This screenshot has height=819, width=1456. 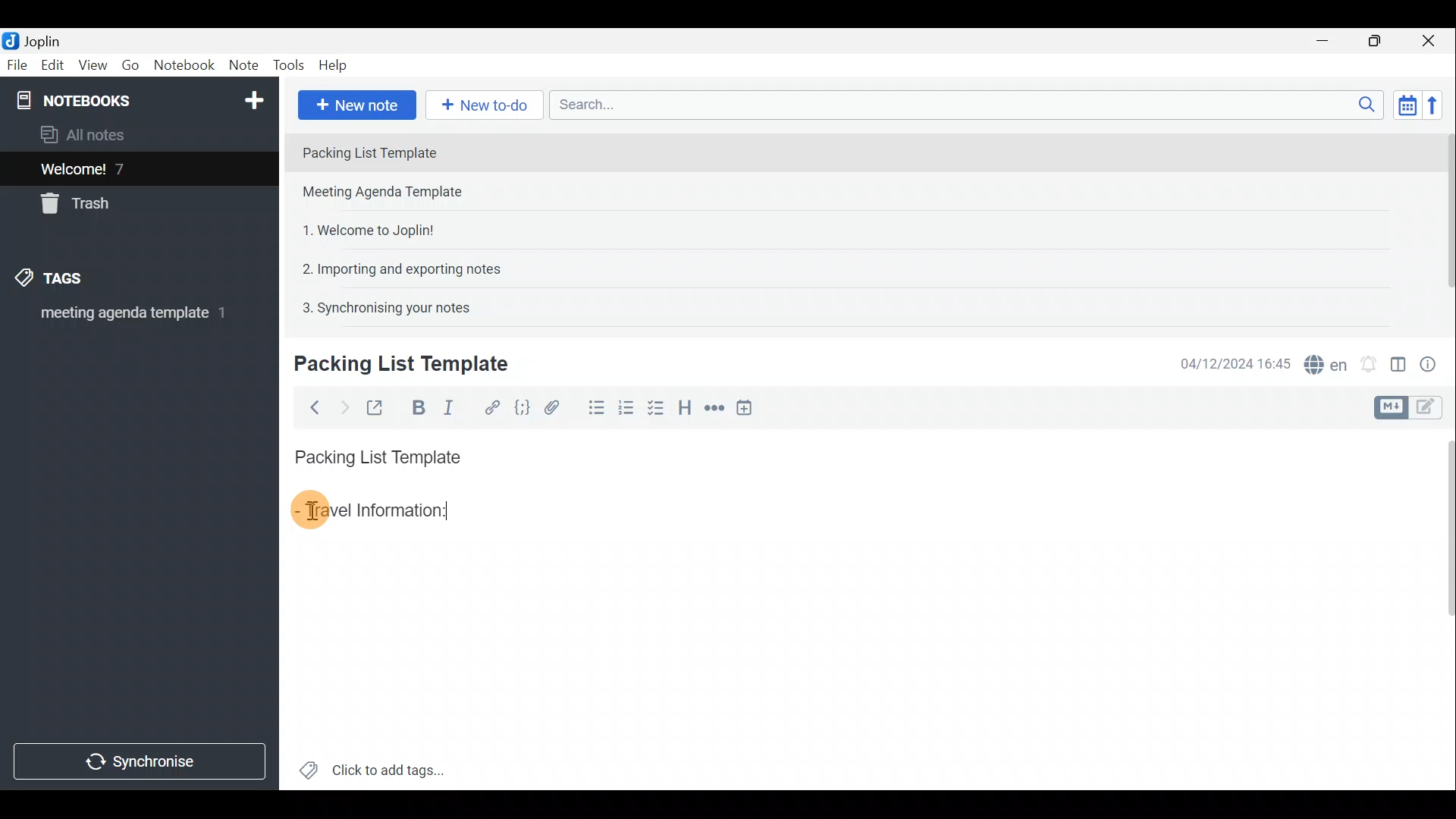 I want to click on Spell checker, so click(x=1322, y=362).